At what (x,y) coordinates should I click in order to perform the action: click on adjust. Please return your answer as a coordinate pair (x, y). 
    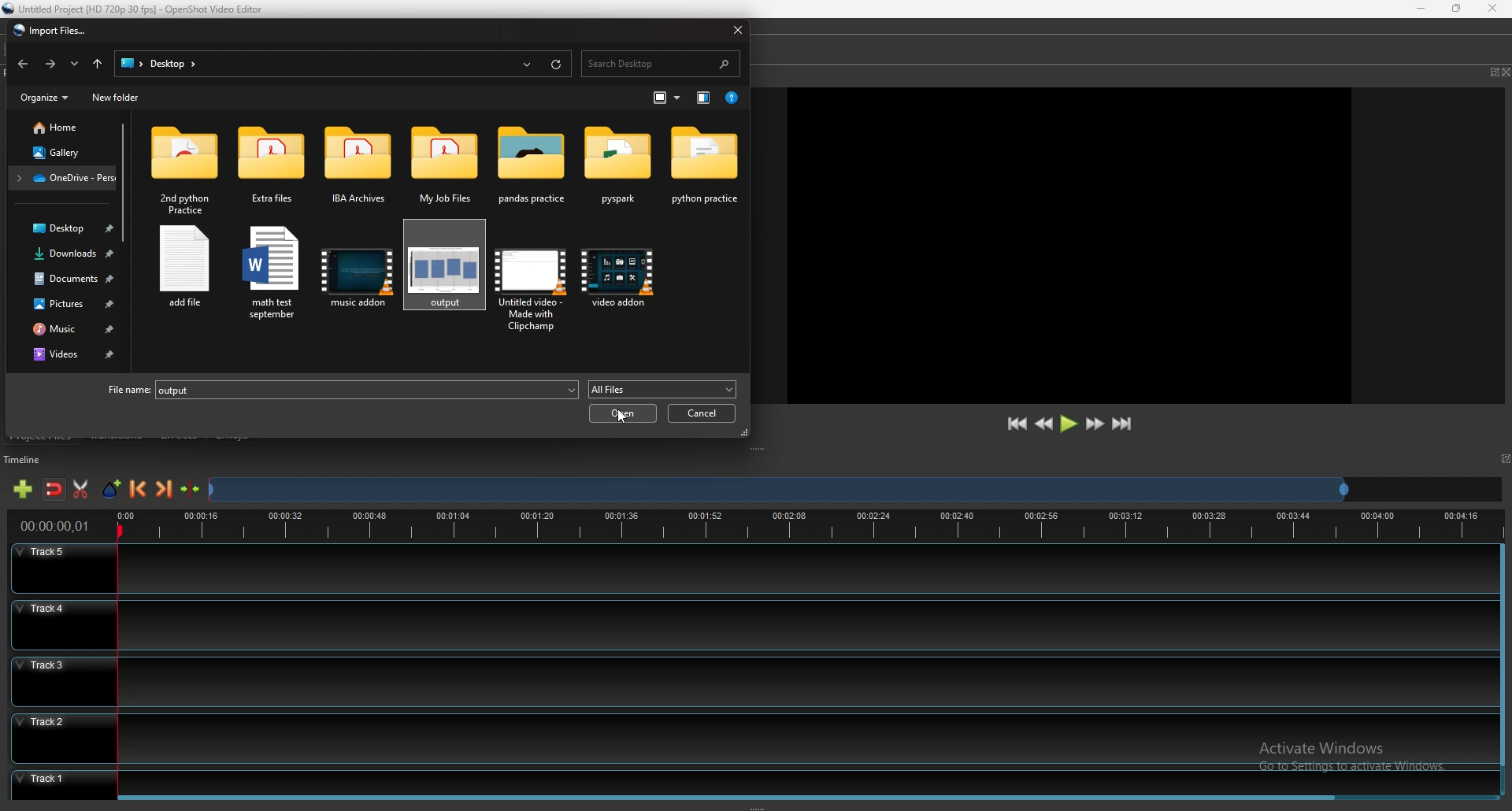
    Looking at the image, I should click on (761, 450).